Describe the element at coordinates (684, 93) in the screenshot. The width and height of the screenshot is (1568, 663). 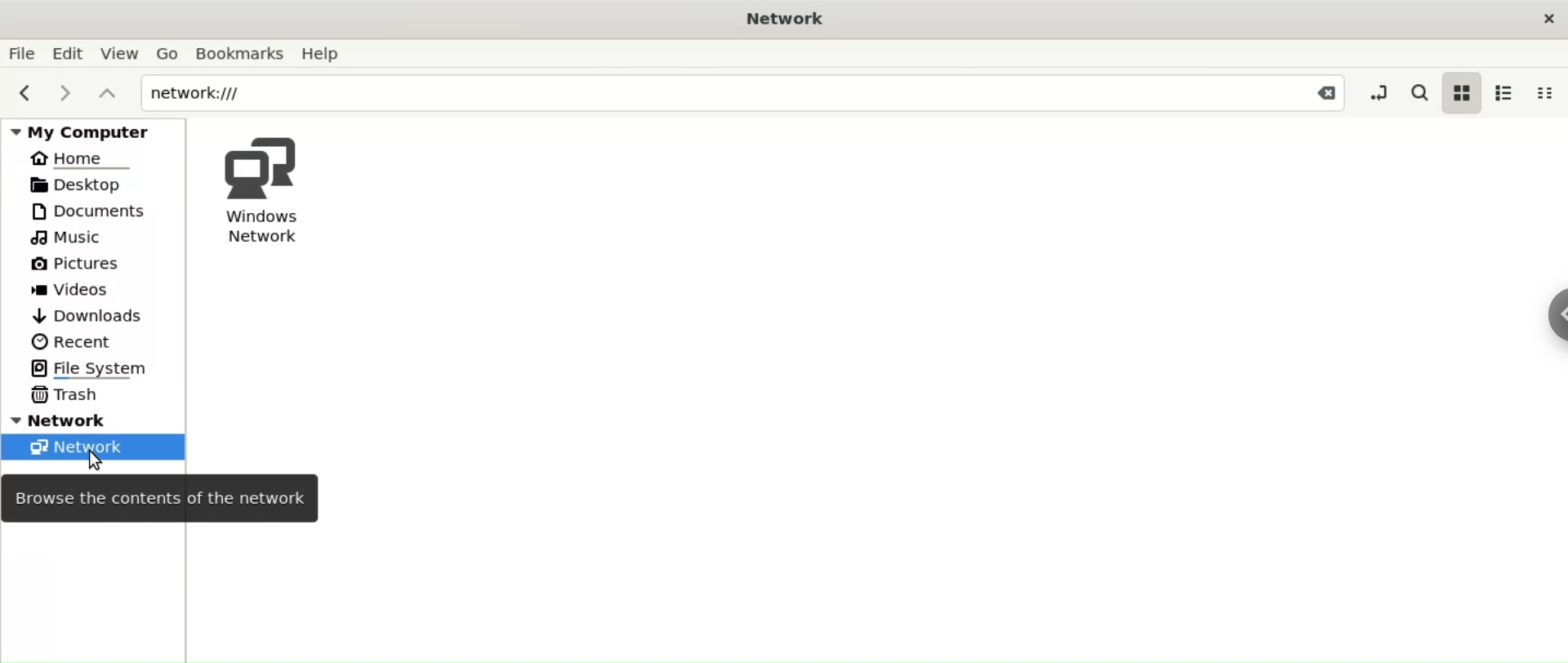
I see `network:///` at that location.